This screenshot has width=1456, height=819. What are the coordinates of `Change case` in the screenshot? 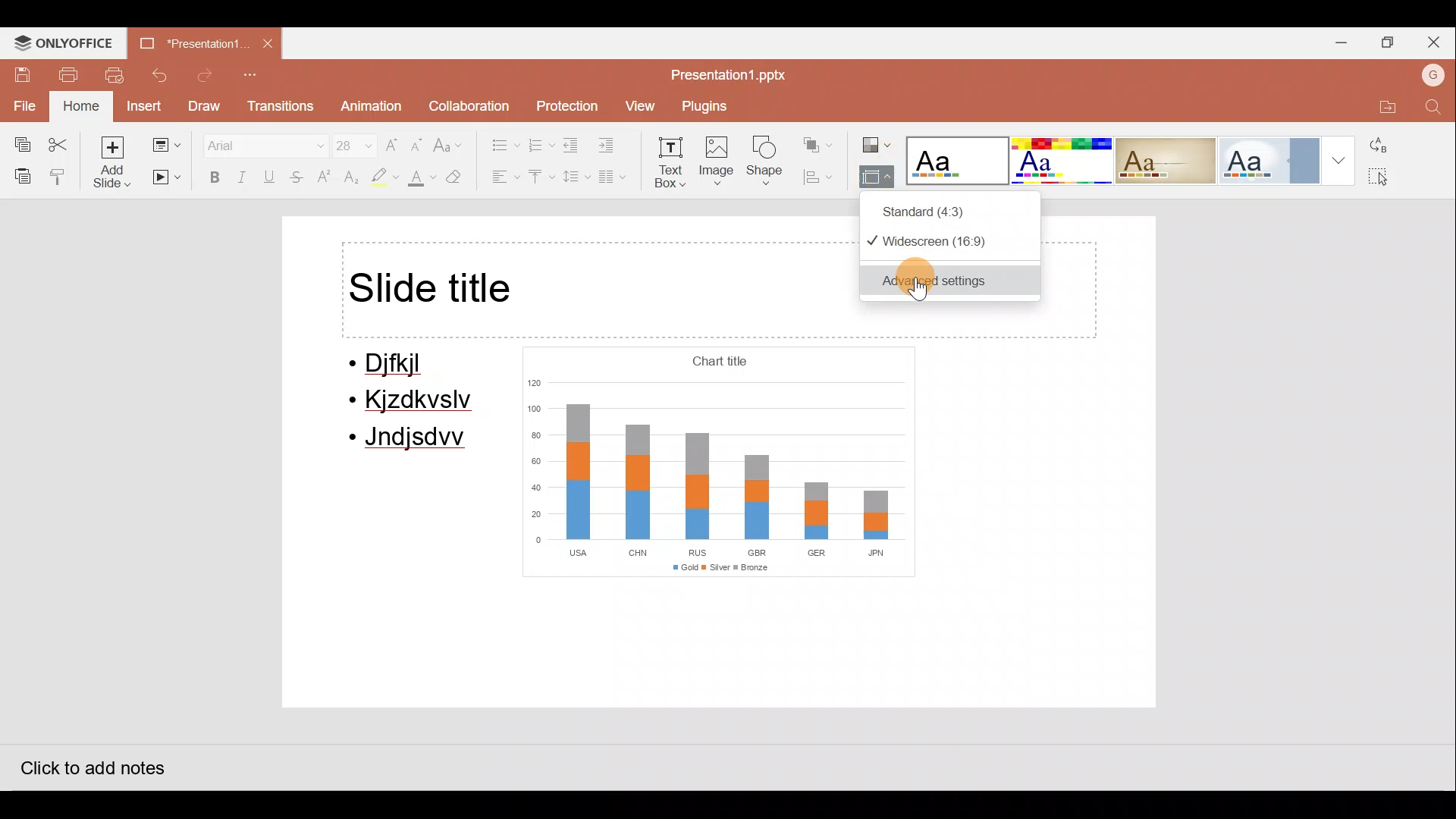 It's located at (451, 139).